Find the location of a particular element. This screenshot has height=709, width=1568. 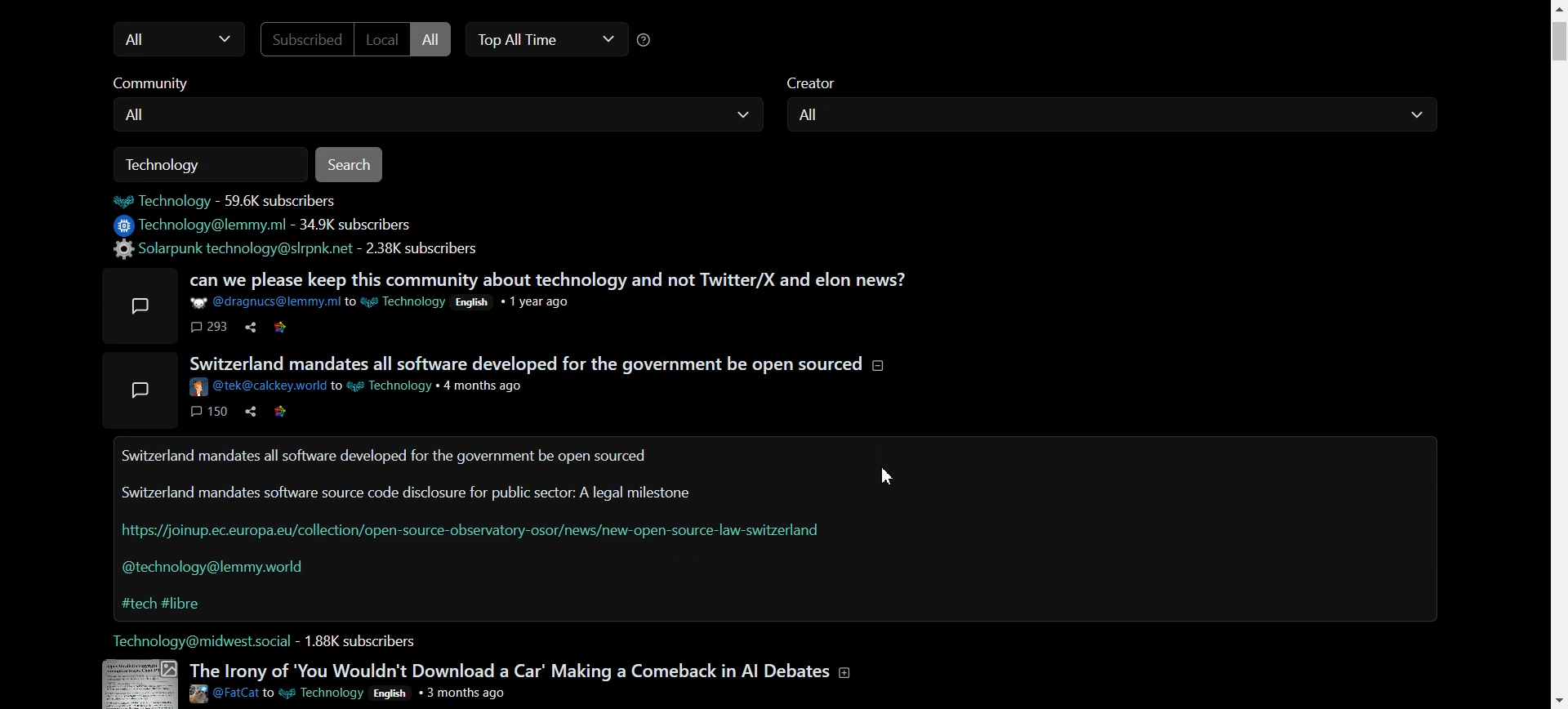

Search is located at coordinates (353, 163).